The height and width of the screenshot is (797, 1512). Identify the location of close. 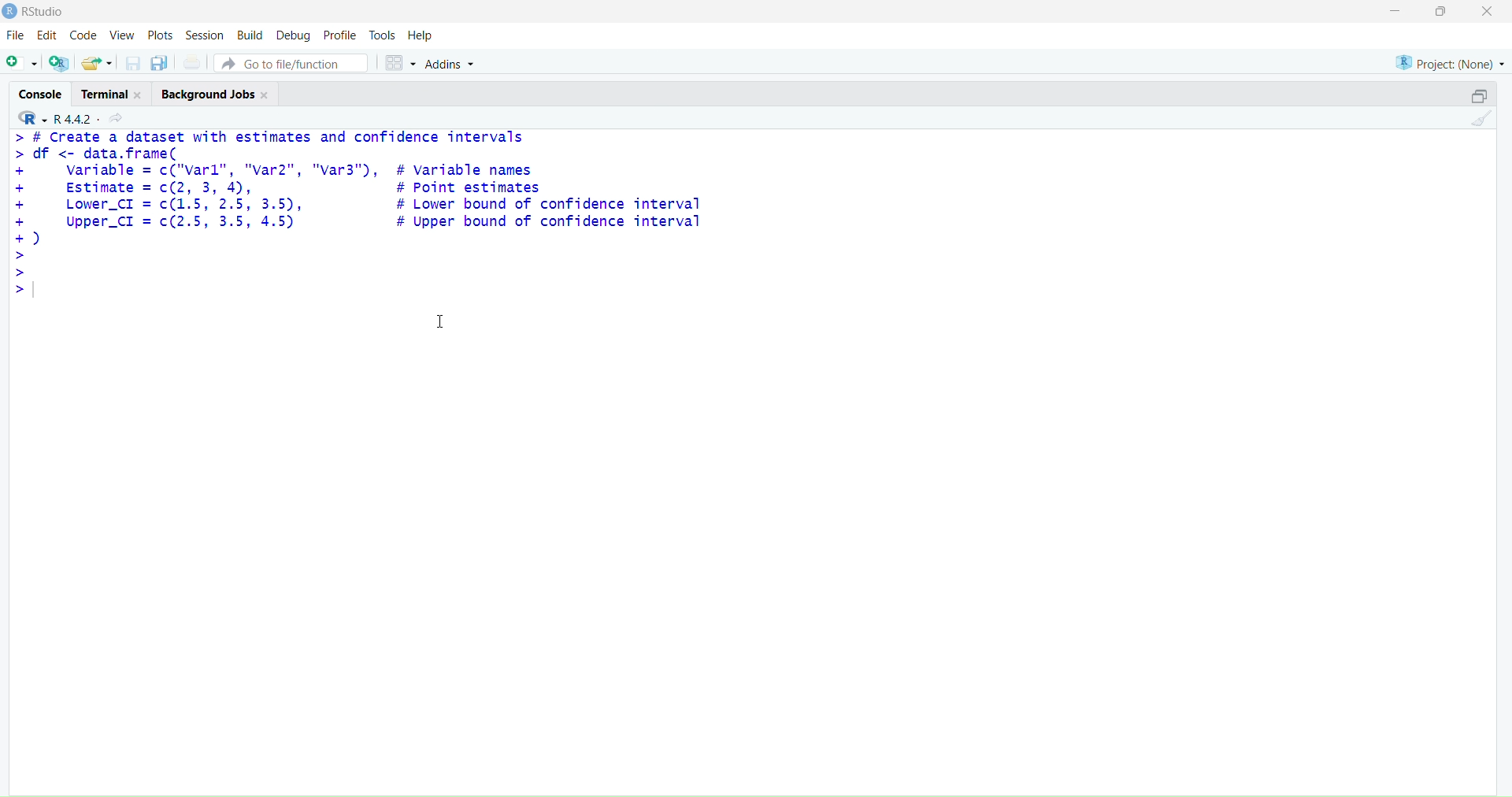
(1488, 13).